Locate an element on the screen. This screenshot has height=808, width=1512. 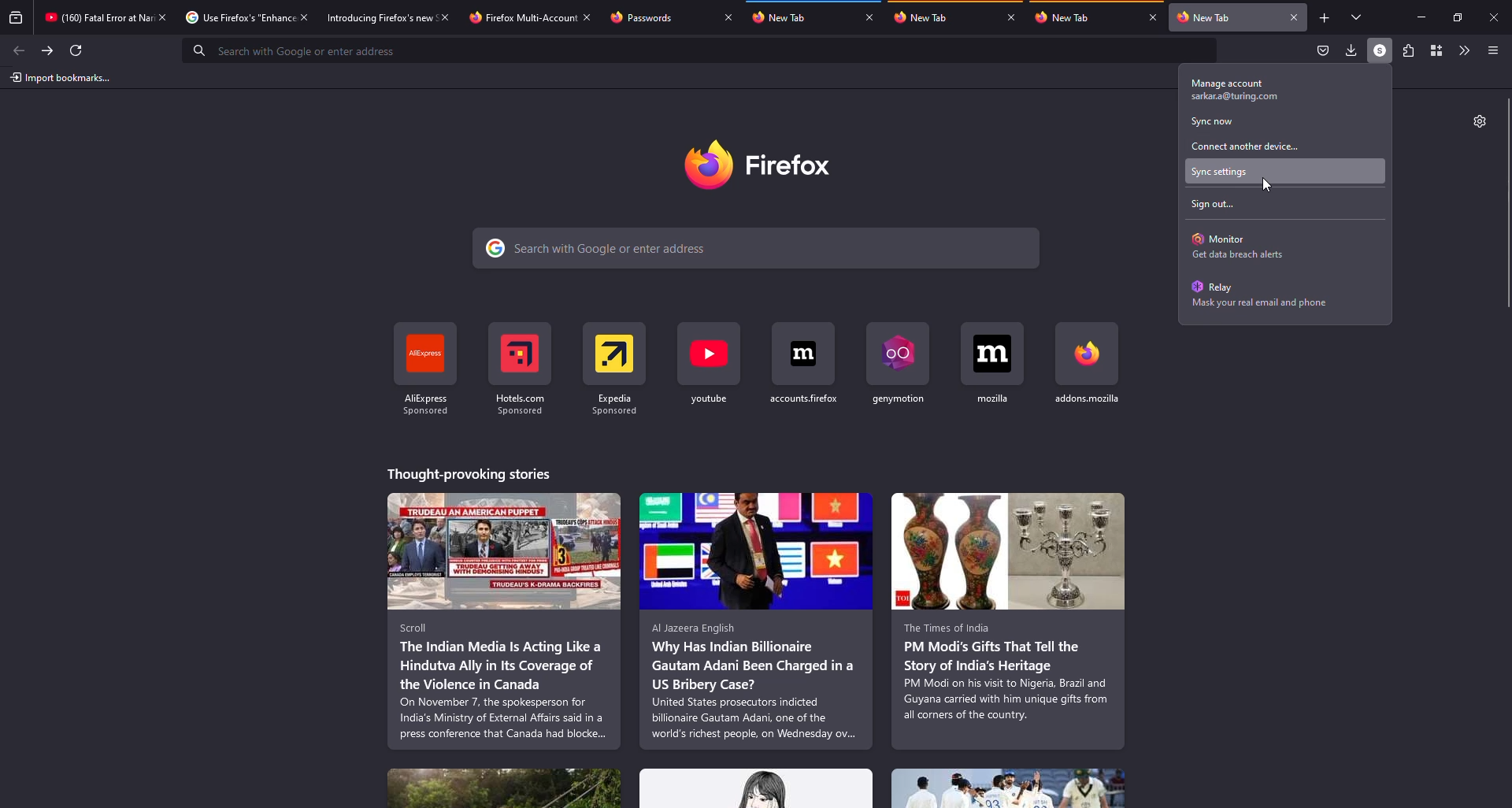
sign out is located at coordinates (1286, 204).